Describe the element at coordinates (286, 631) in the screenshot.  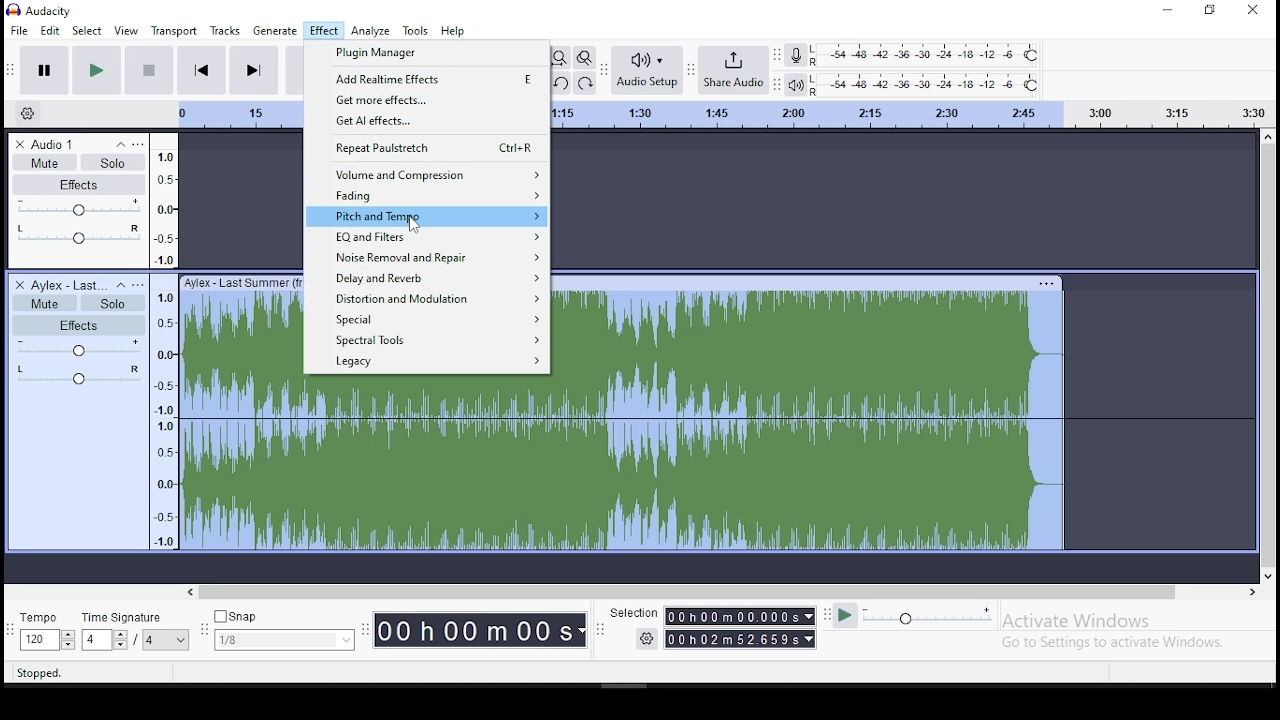
I see `snap` at that location.